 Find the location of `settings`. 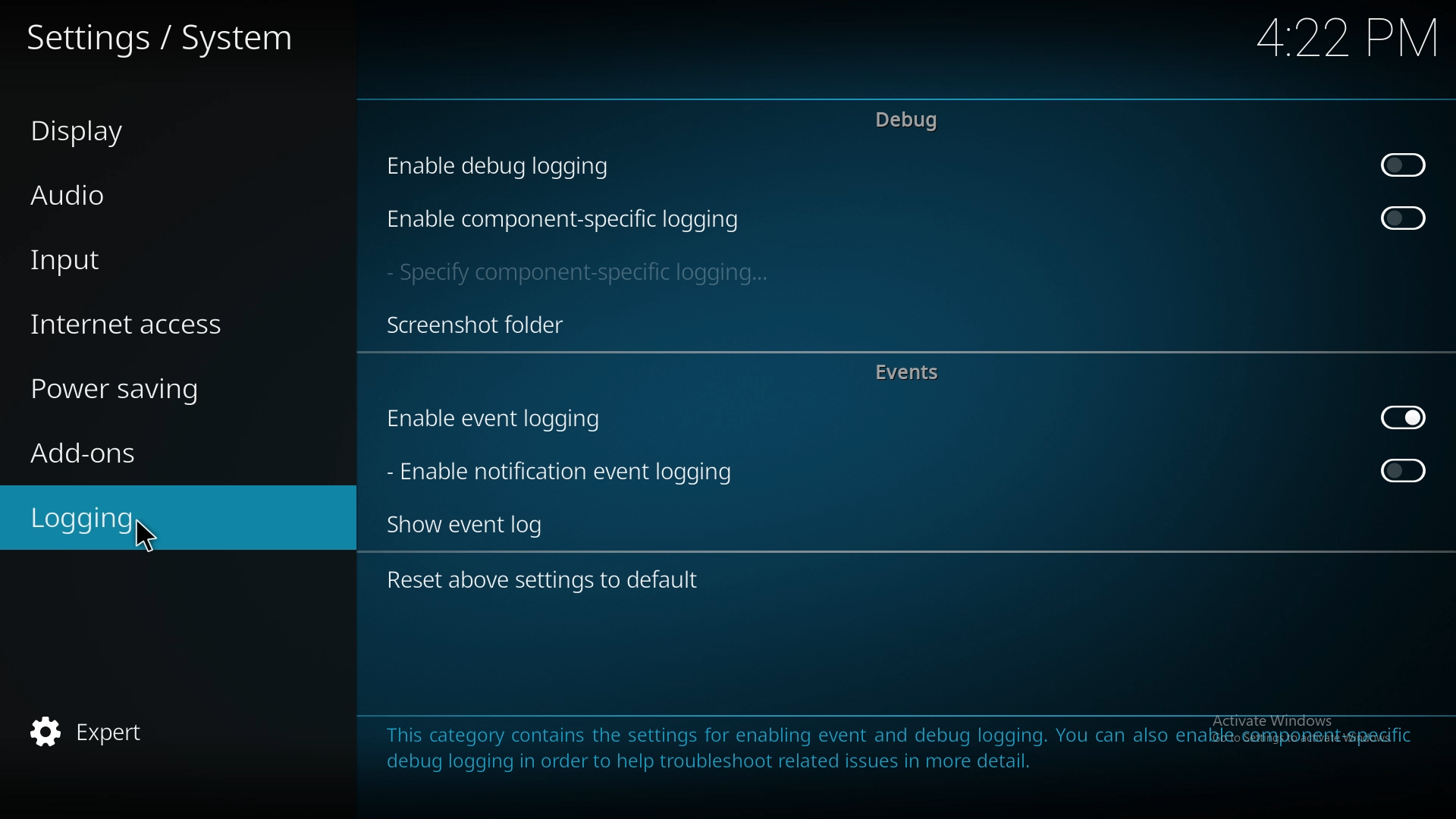

settings is located at coordinates (168, 36).